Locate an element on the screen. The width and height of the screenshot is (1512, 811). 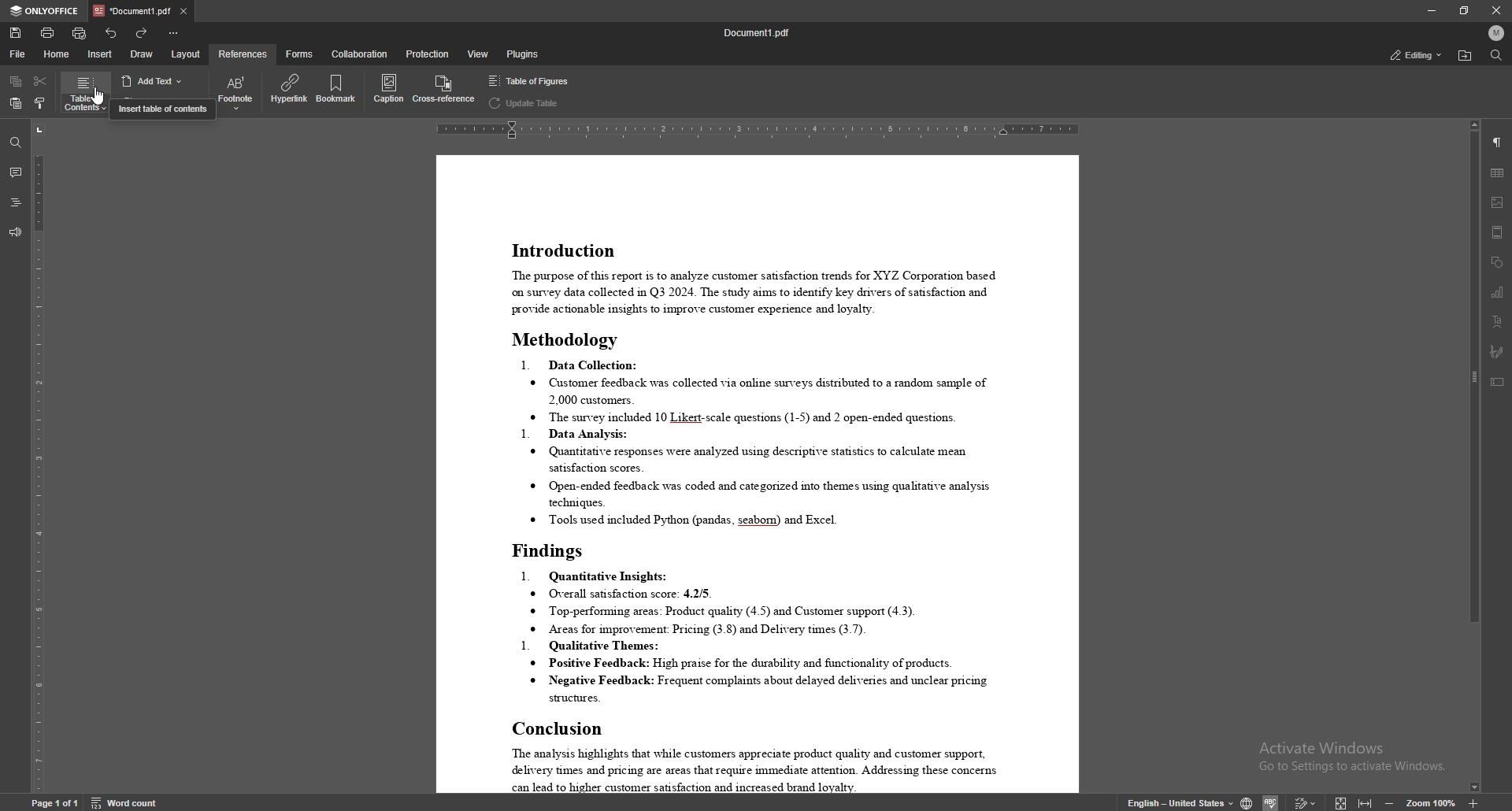
references is located at coordinates (243, 54).